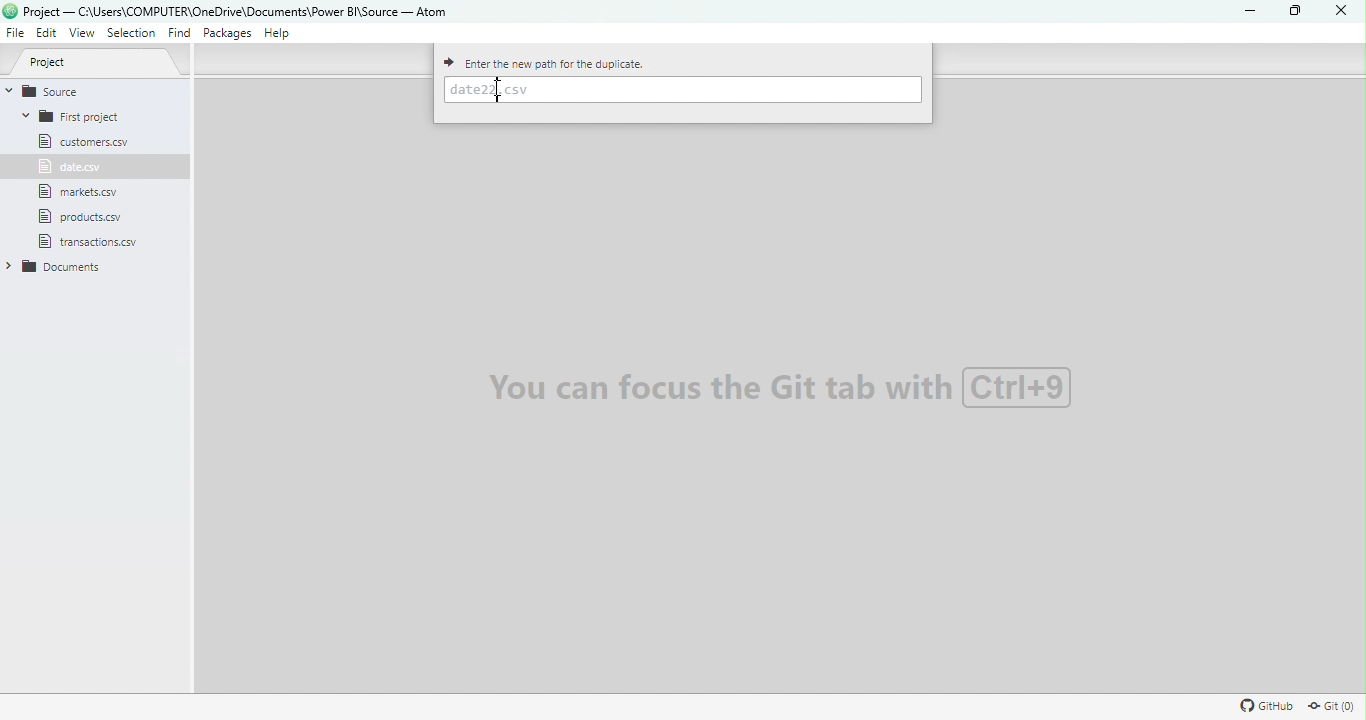 The image size is (1366, 720). Describe the element at coordinates (781, 384) in the screenshot. I see `Watermark` at that location.